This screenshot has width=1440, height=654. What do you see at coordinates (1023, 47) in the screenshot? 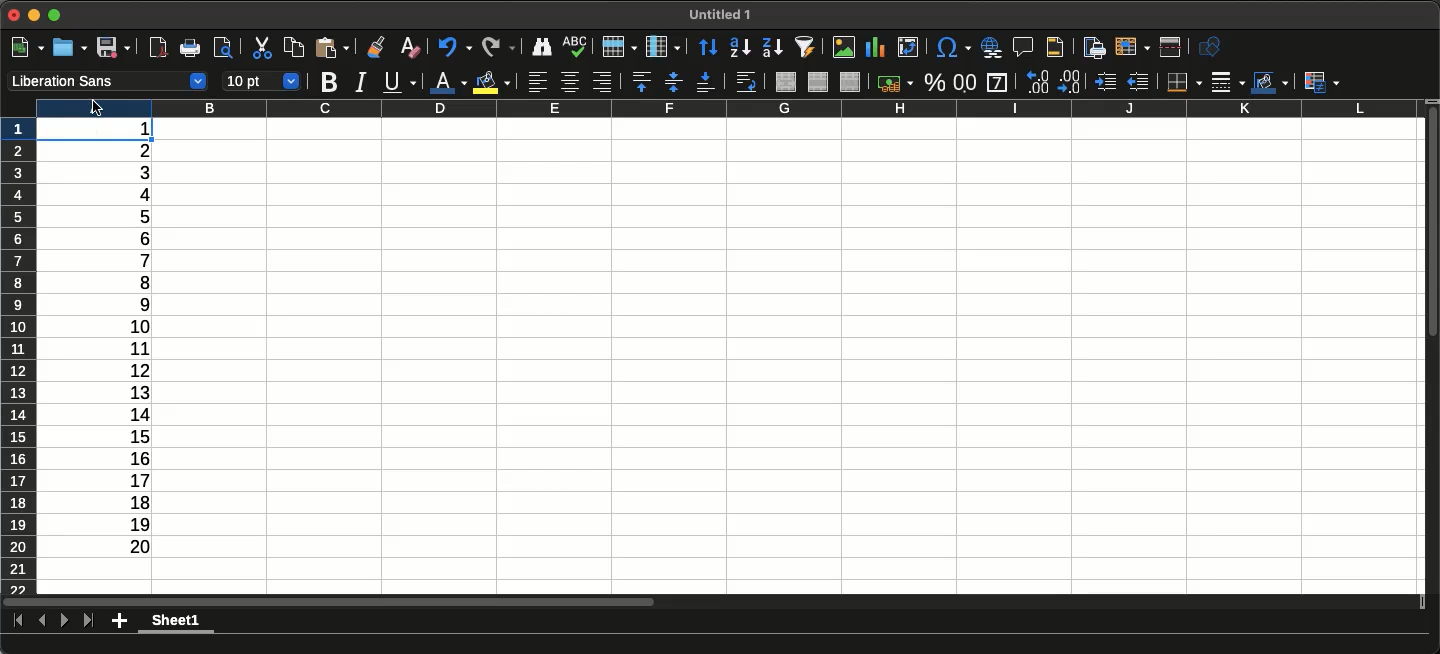
I see `Insert comment` at bounding box center [1023, 47].